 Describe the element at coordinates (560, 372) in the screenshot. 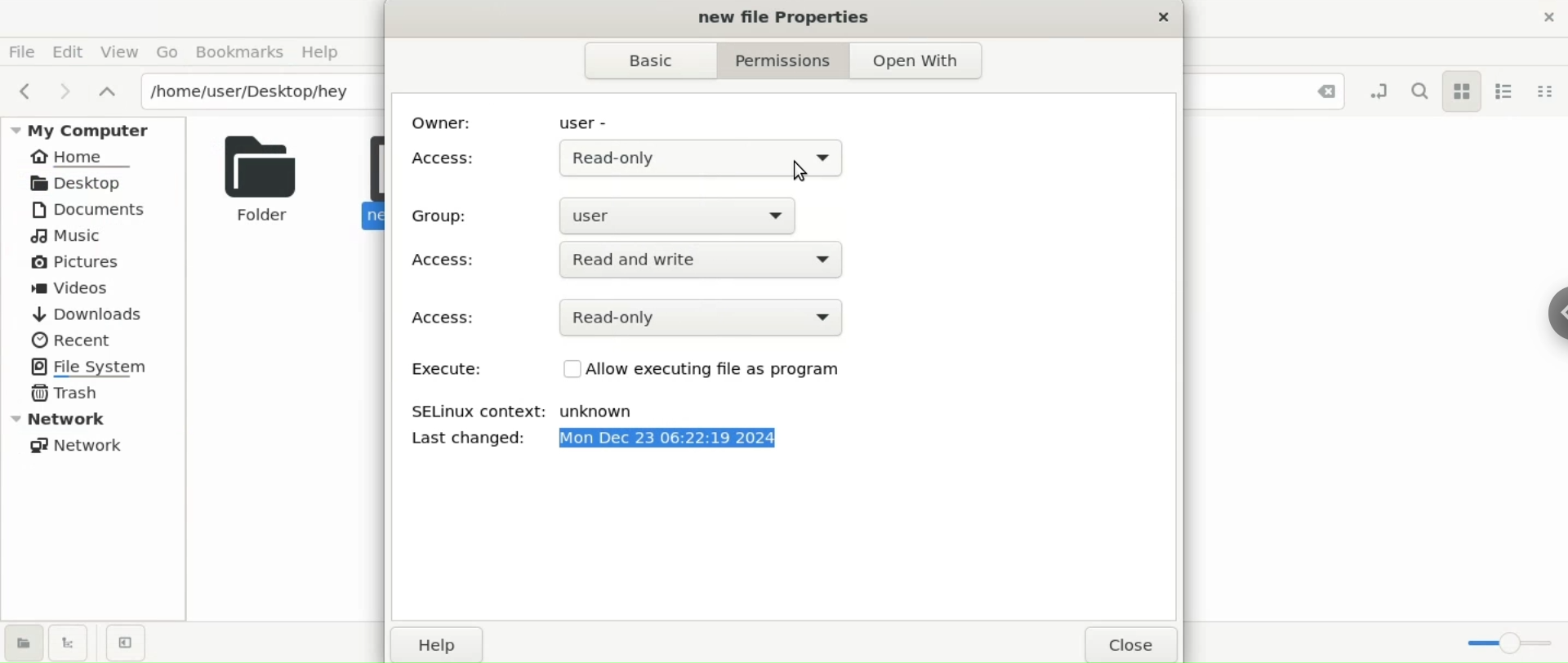

I see `Checkbox` at that location.